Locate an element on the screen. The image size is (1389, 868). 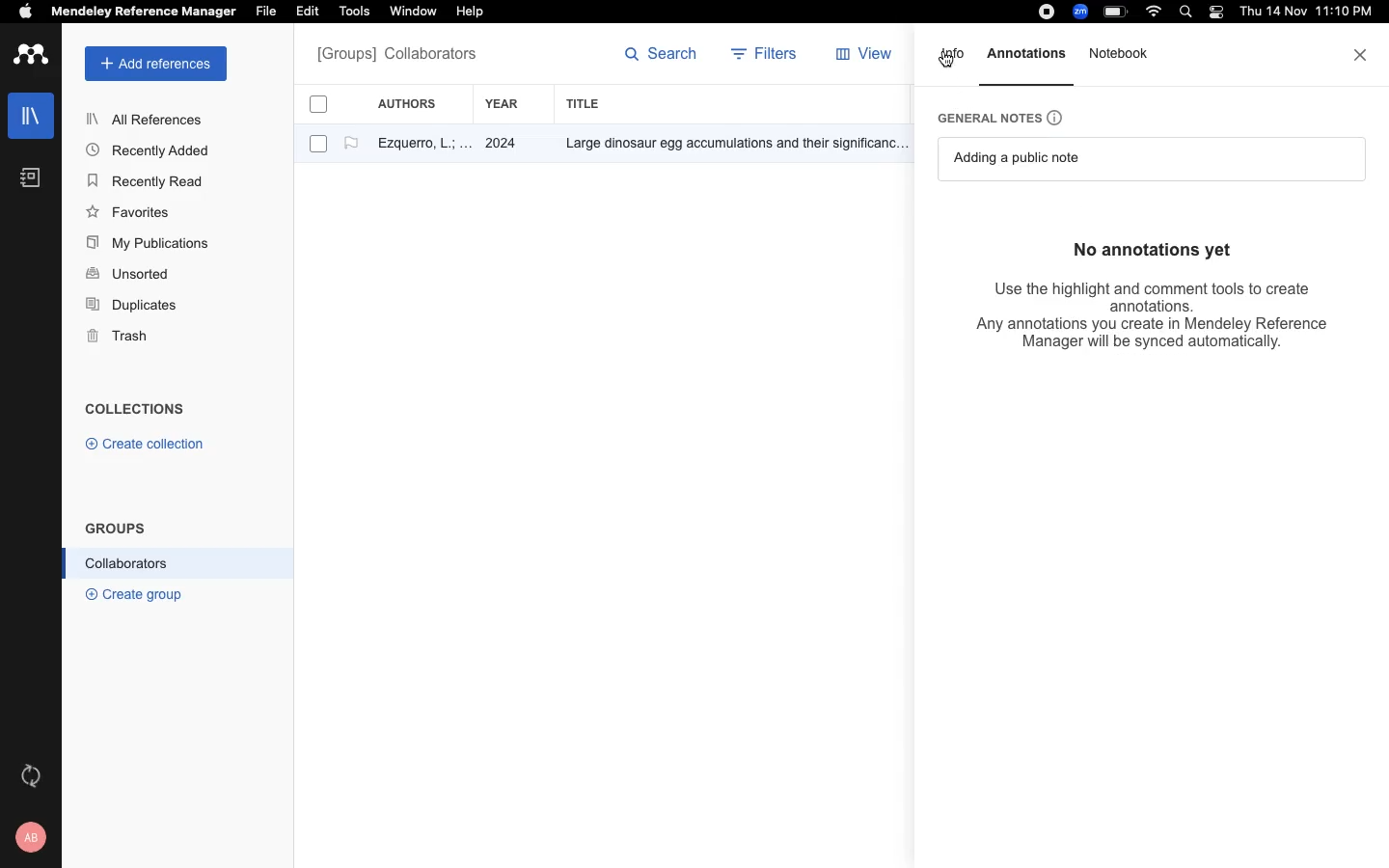
general notes is located at coordinates (1010, 116).